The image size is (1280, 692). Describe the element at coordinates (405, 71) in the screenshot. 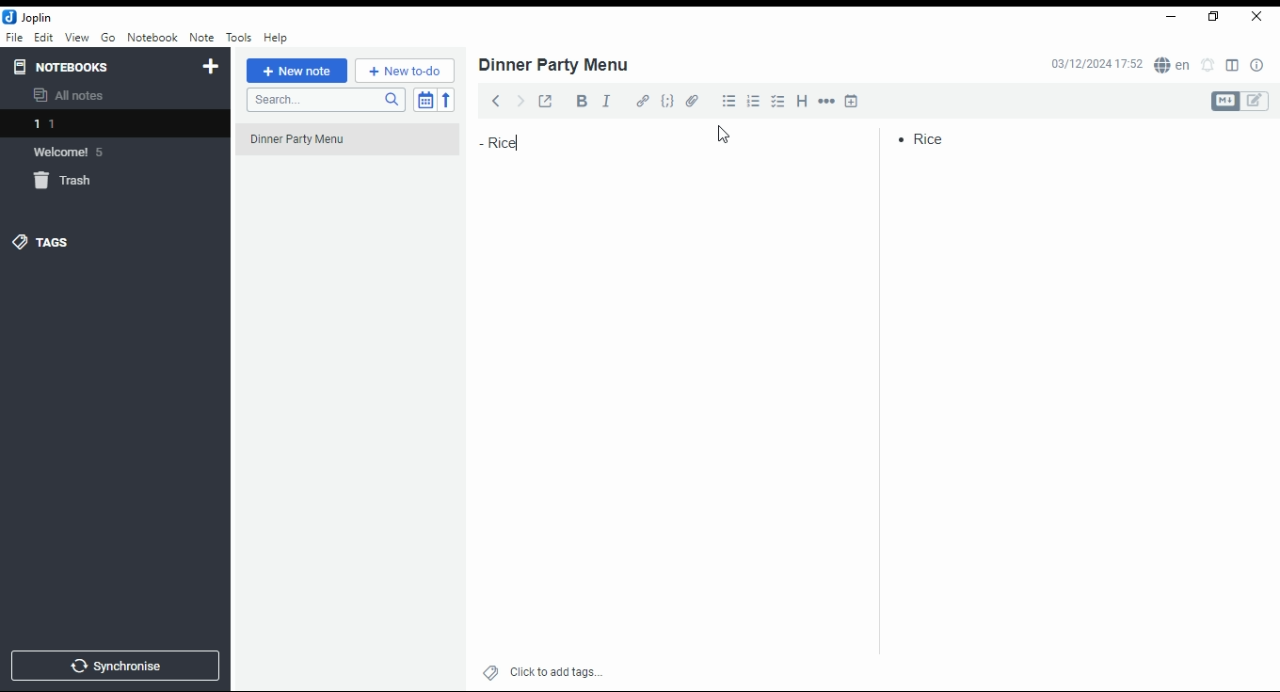

I see `new to-do list` at that location.